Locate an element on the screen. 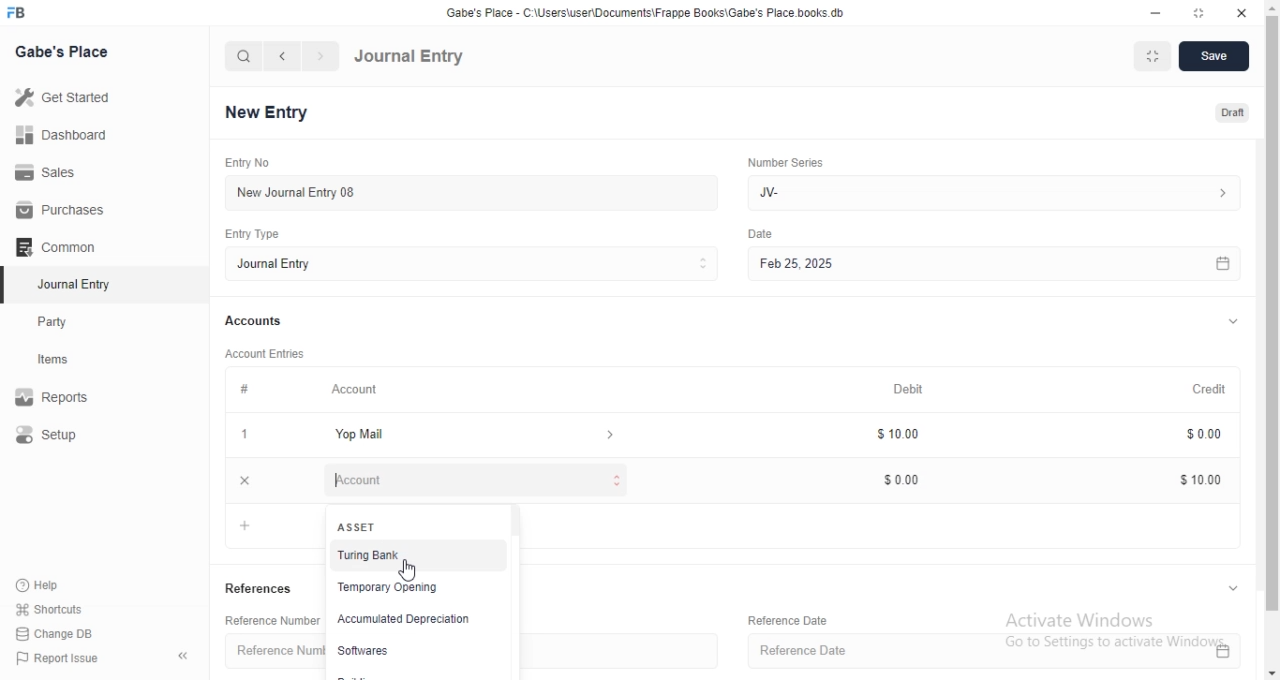 The image size is (1280, 680). minimize is located at coordinates (1159, 12).